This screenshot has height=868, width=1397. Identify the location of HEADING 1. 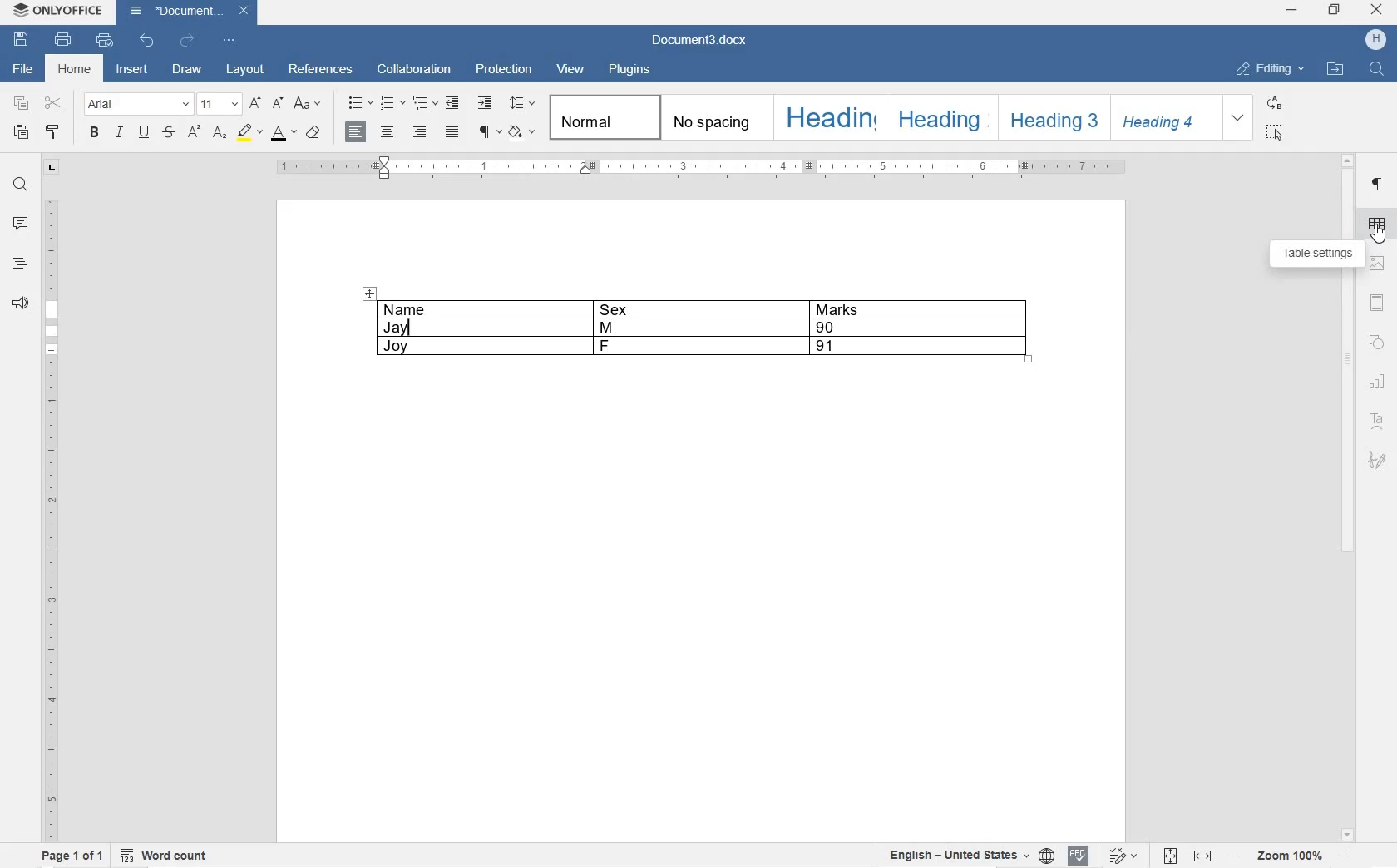
(827, 117).